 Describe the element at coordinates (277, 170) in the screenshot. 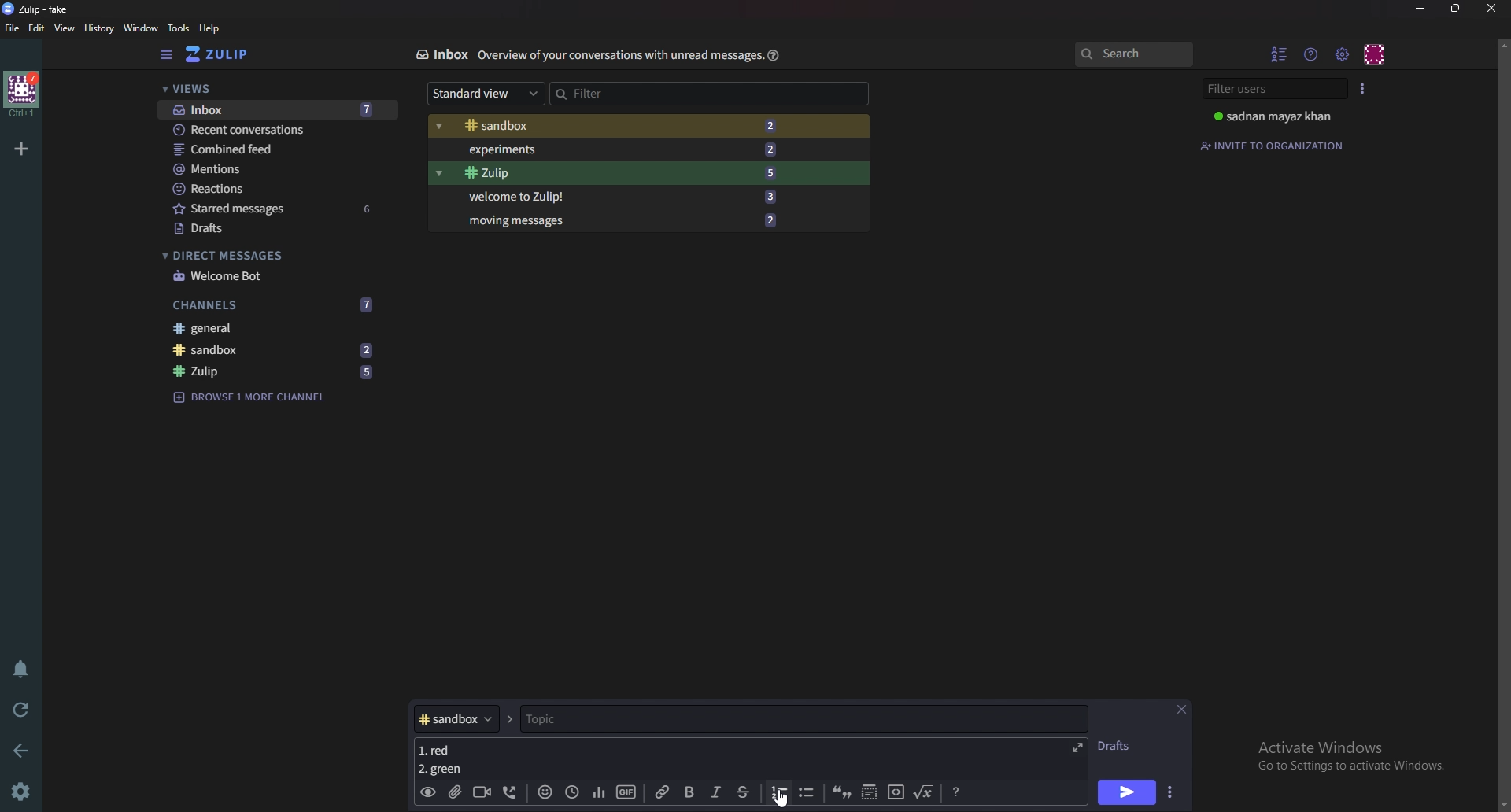

I see `mentions` at that location.